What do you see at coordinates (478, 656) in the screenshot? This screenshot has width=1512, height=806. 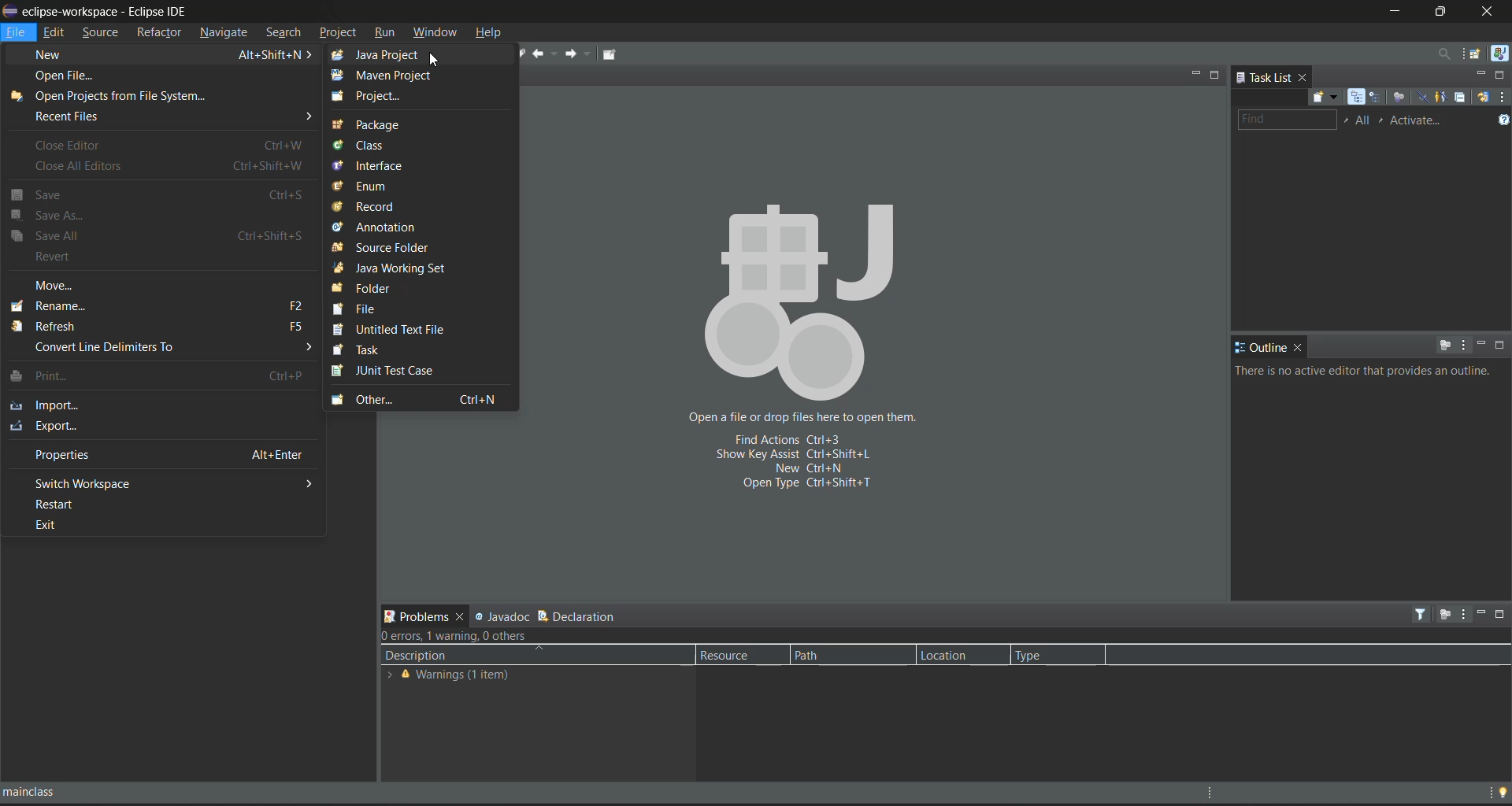 I see `description` at bounding box center [478, 656].